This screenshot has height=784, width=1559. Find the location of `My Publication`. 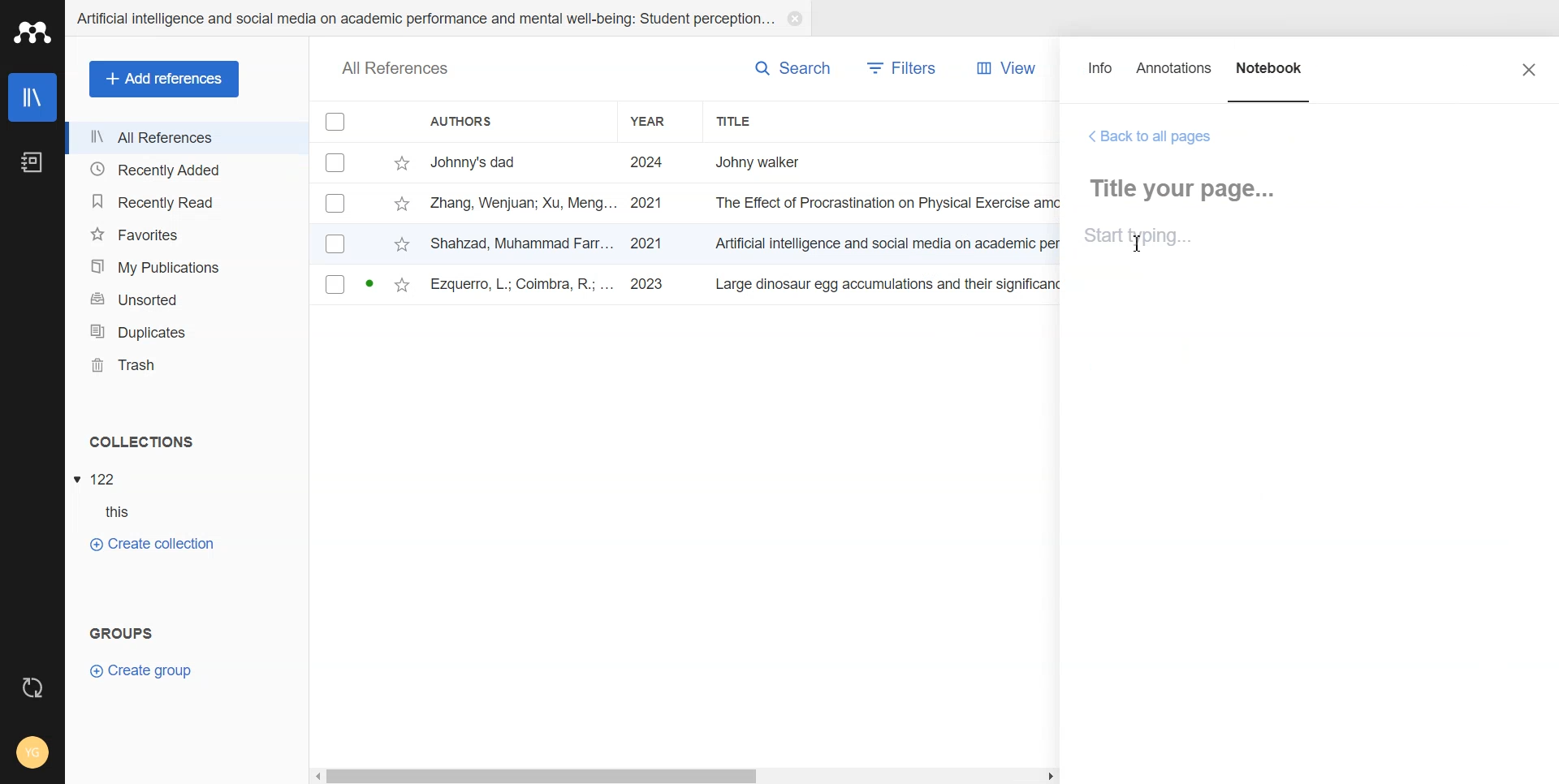

My Publication is located at coordinates (187, 267).